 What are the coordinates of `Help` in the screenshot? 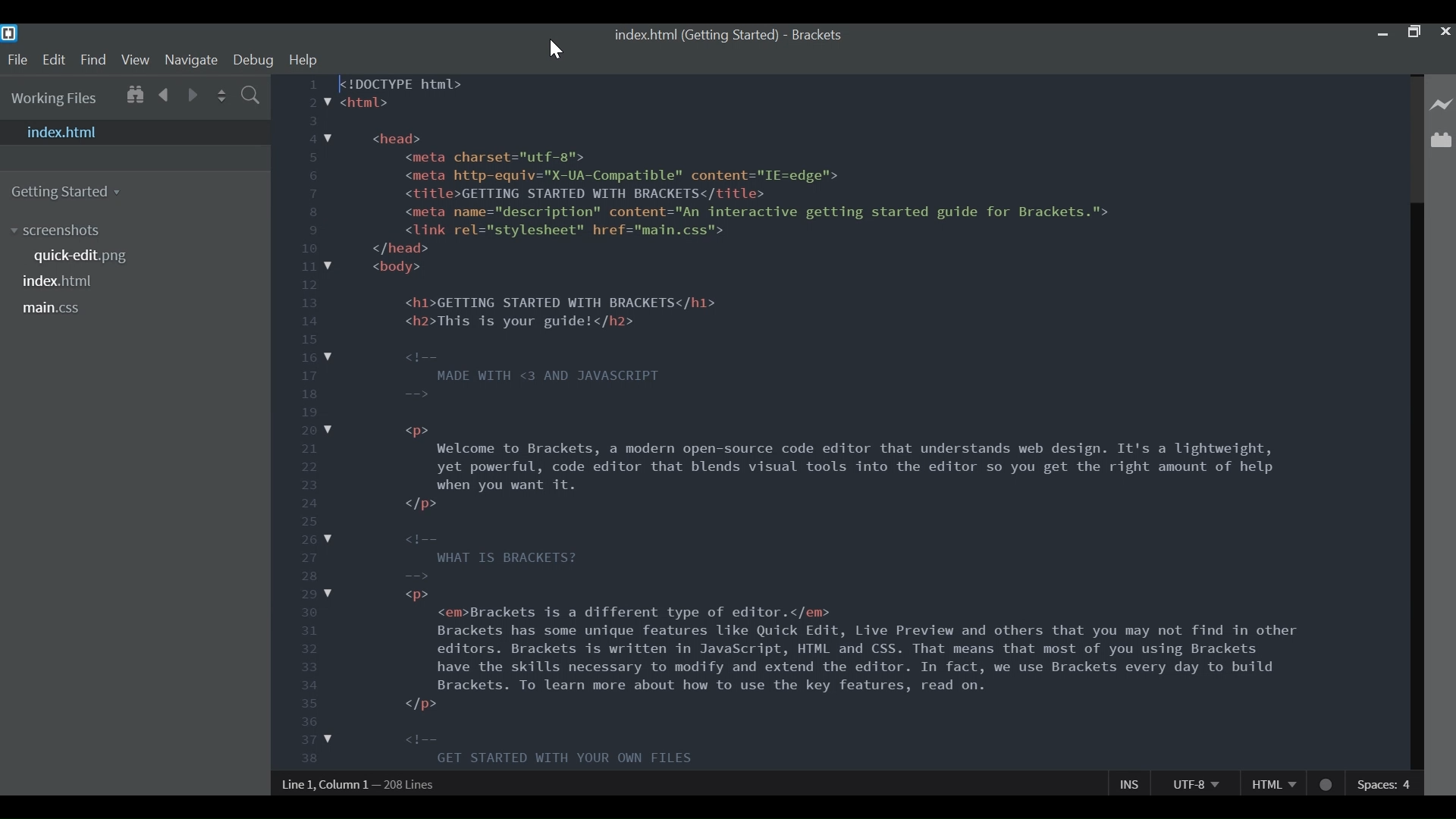 It's located at (303, 60).